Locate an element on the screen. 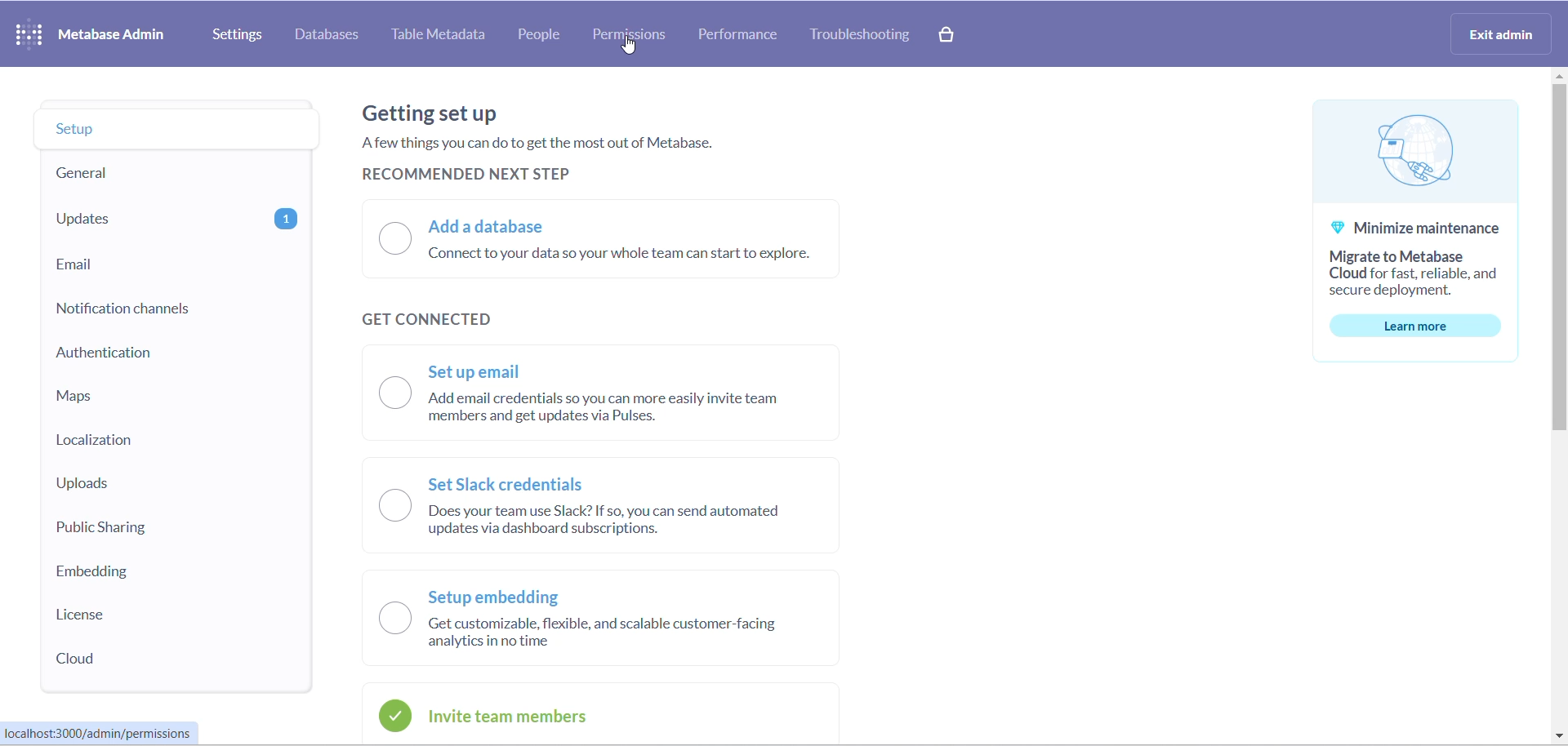 This screenshot has height=746, width=1568. email is located at coordinates (160, 267).